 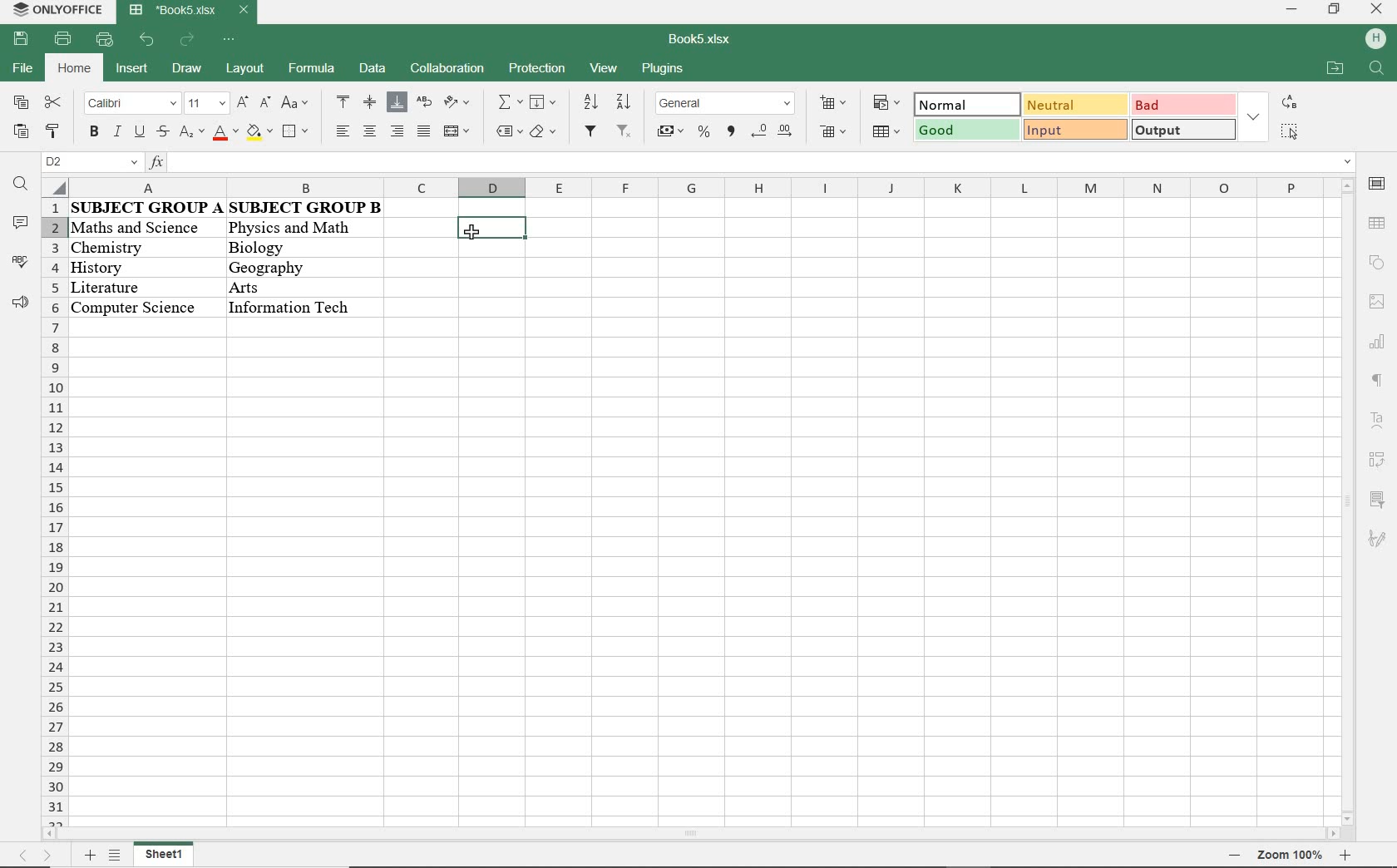 What do you see at coordinates (508, 131) in the screenshot?
I see `named ranges` at bounding box center [508, 131].